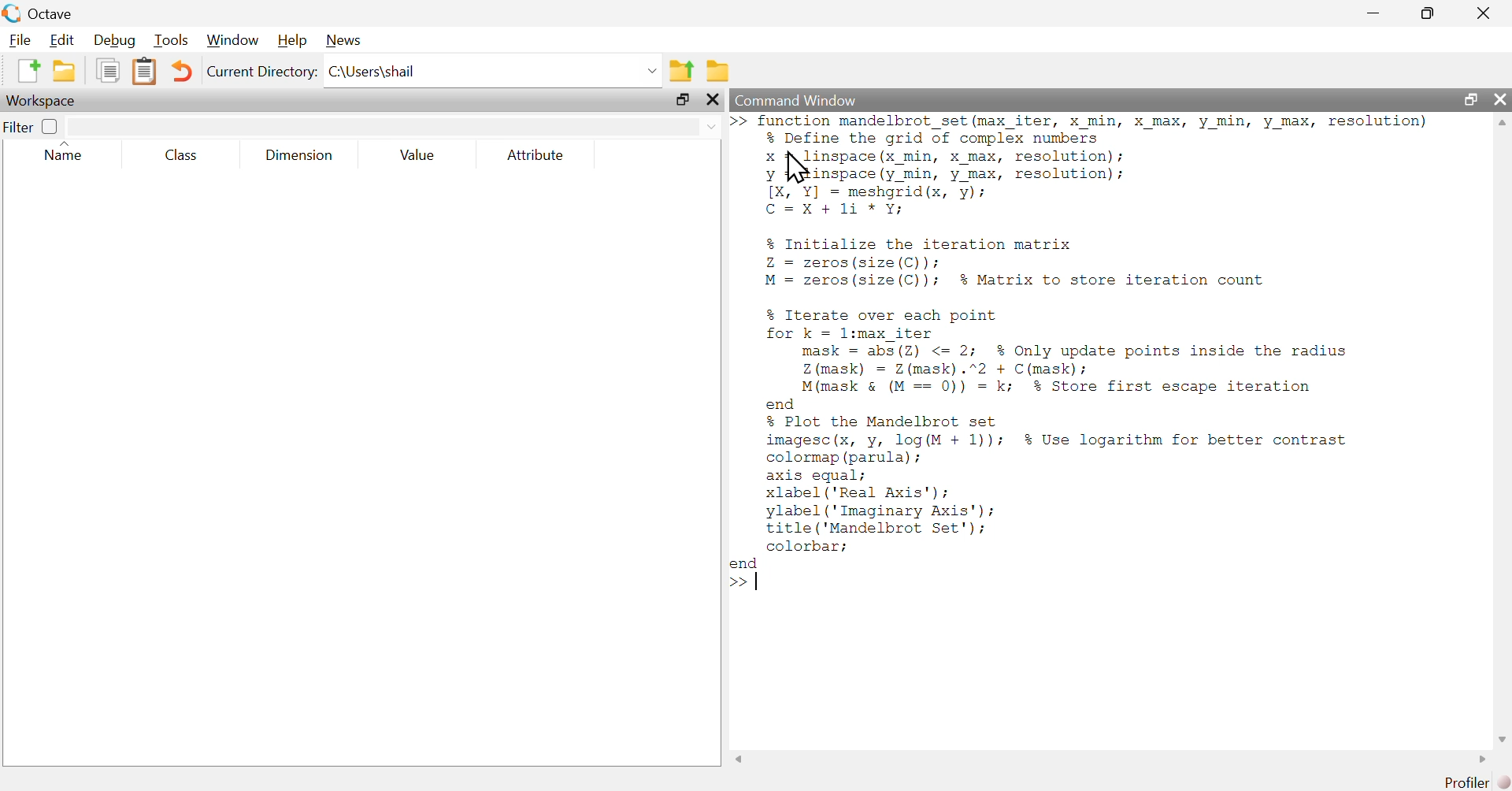 The height and width of the screenshot is (791, 1512). I want to click on undo, so click(182, 70).